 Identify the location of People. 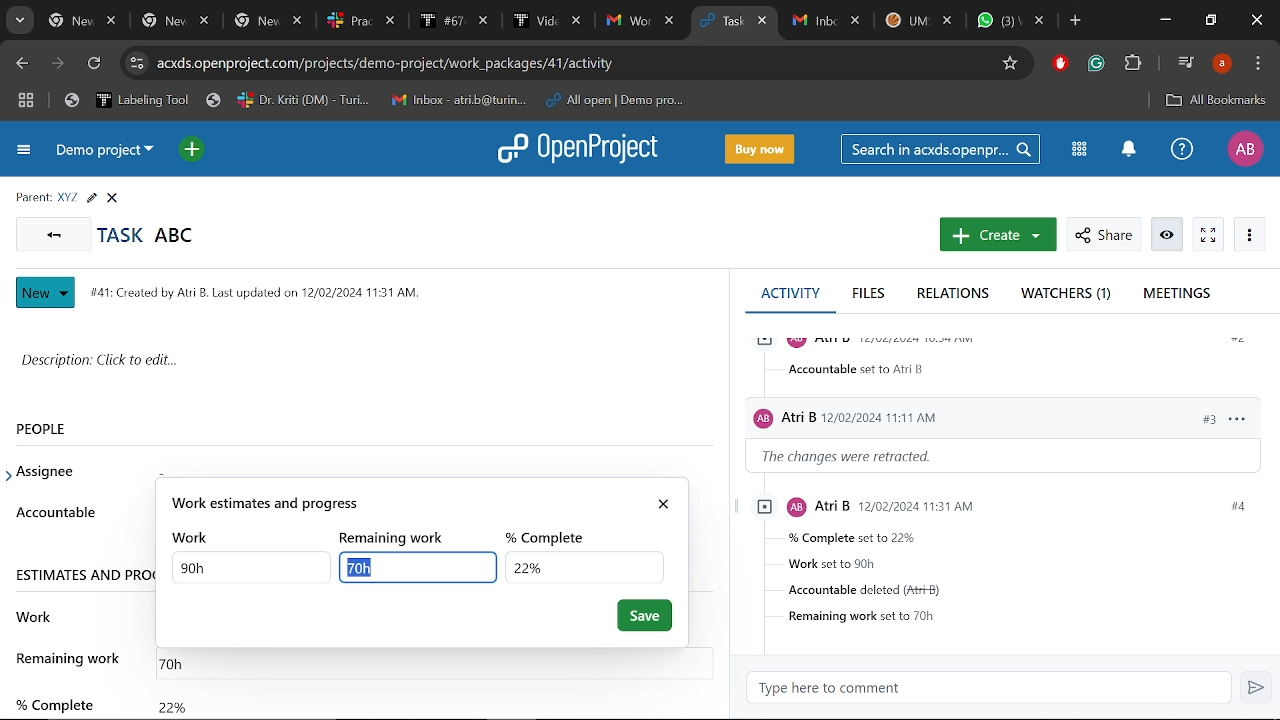
(63, 428).